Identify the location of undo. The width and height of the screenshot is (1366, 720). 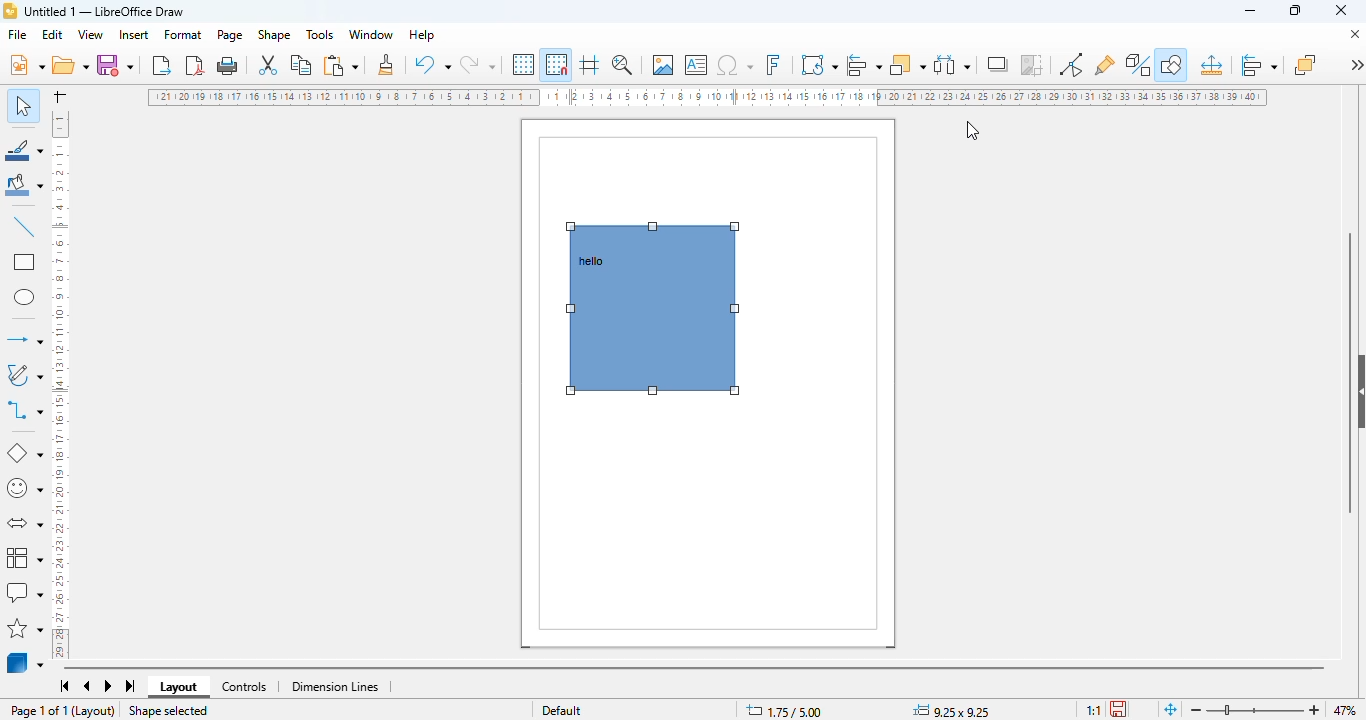
(433, 64).